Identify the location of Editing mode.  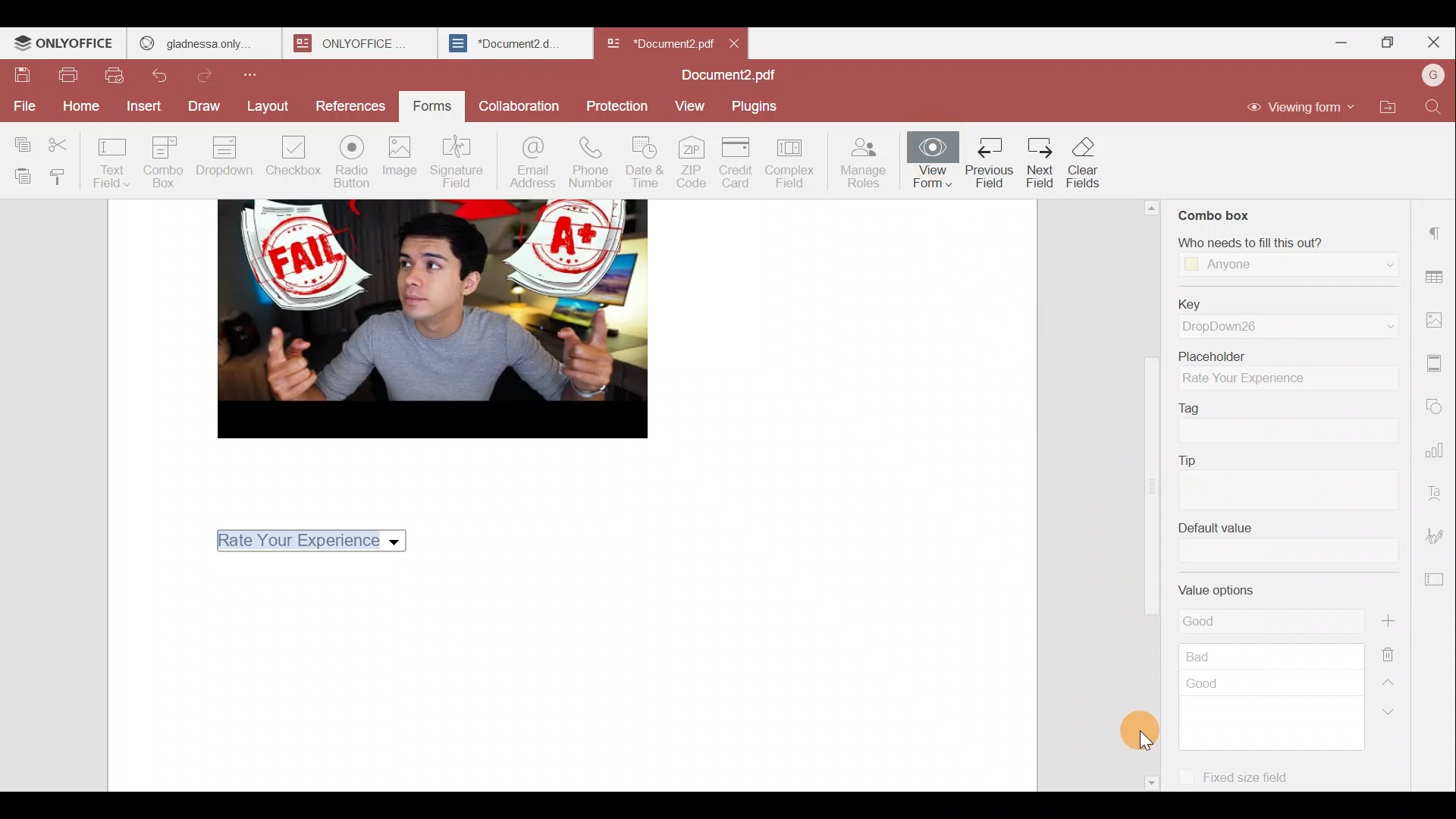
(1316, 108).